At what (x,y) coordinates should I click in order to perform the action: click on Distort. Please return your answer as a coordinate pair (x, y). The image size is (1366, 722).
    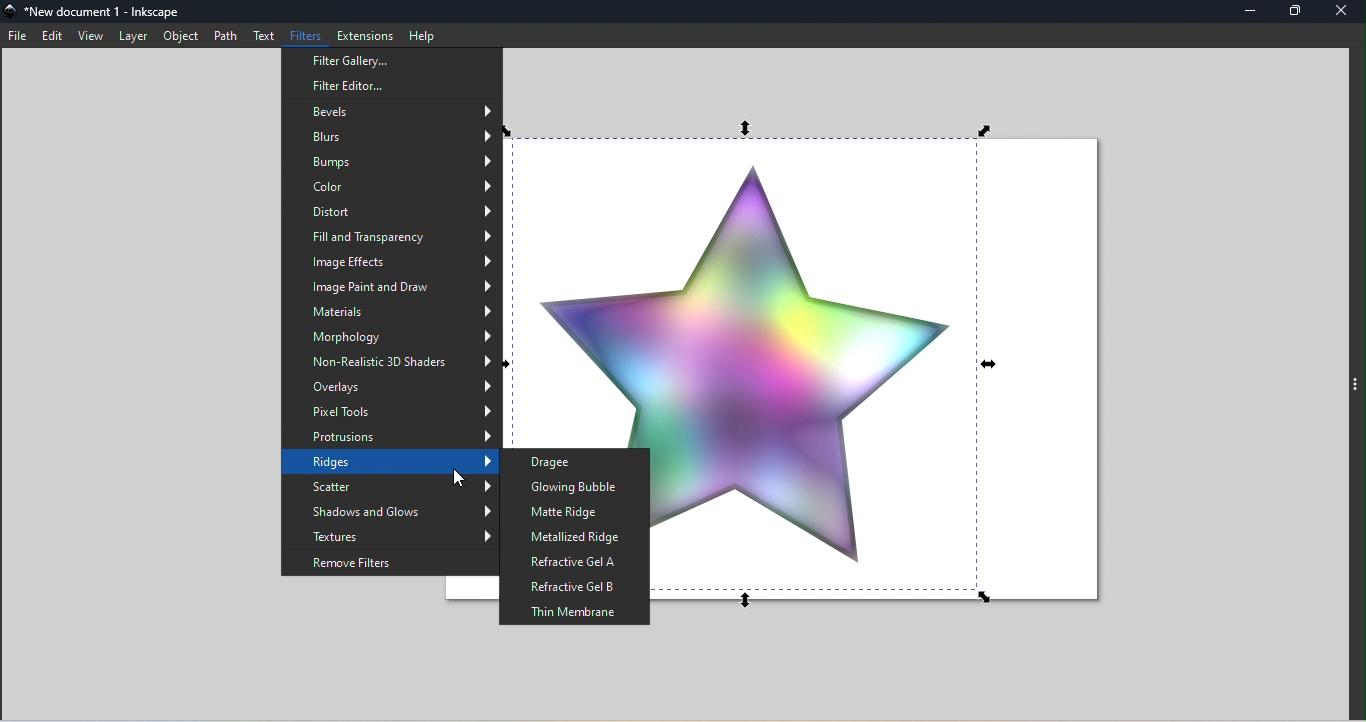
    Looking at the image, I should click on (389, 212).